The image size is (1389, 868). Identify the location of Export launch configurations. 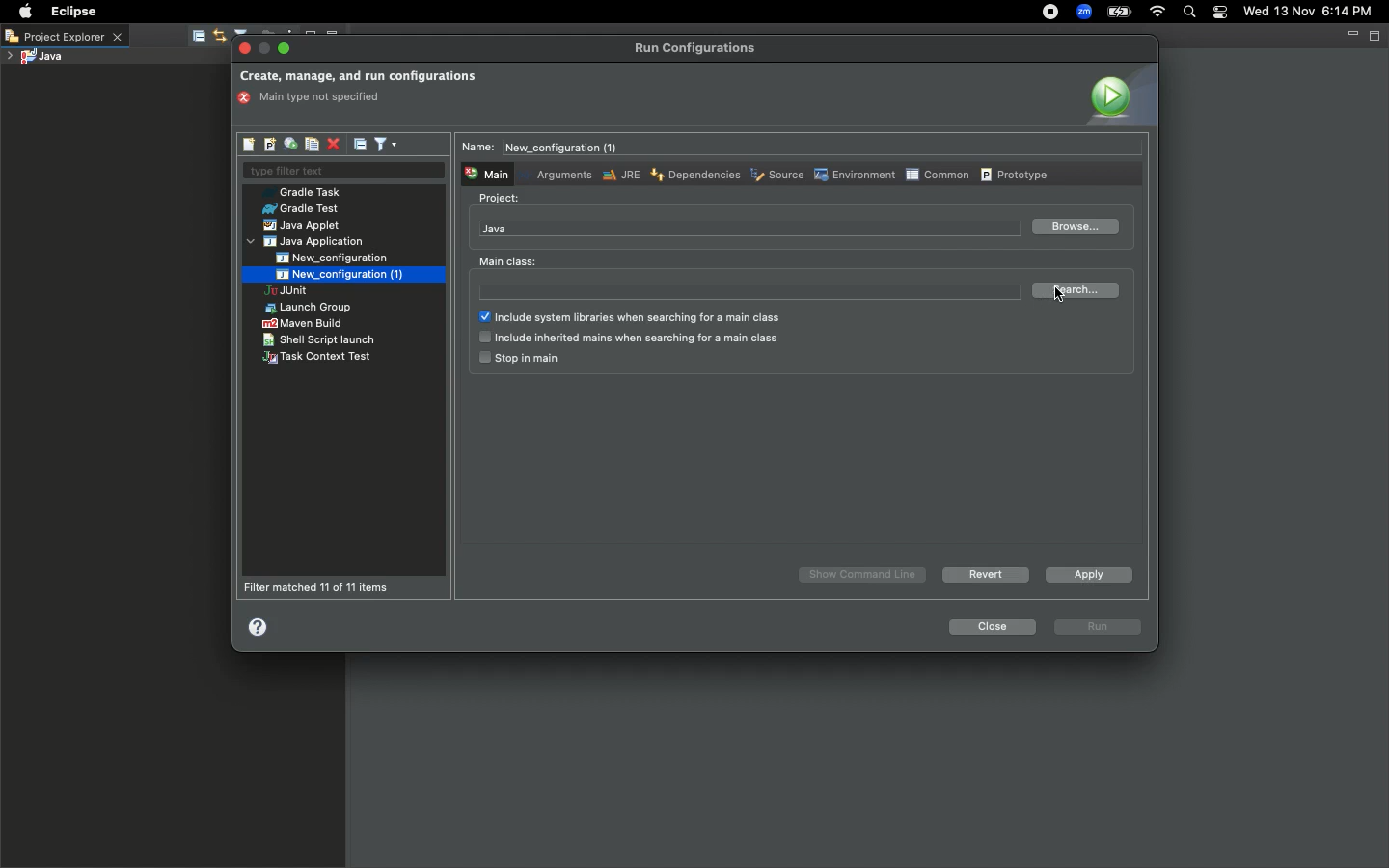
(289, 145).